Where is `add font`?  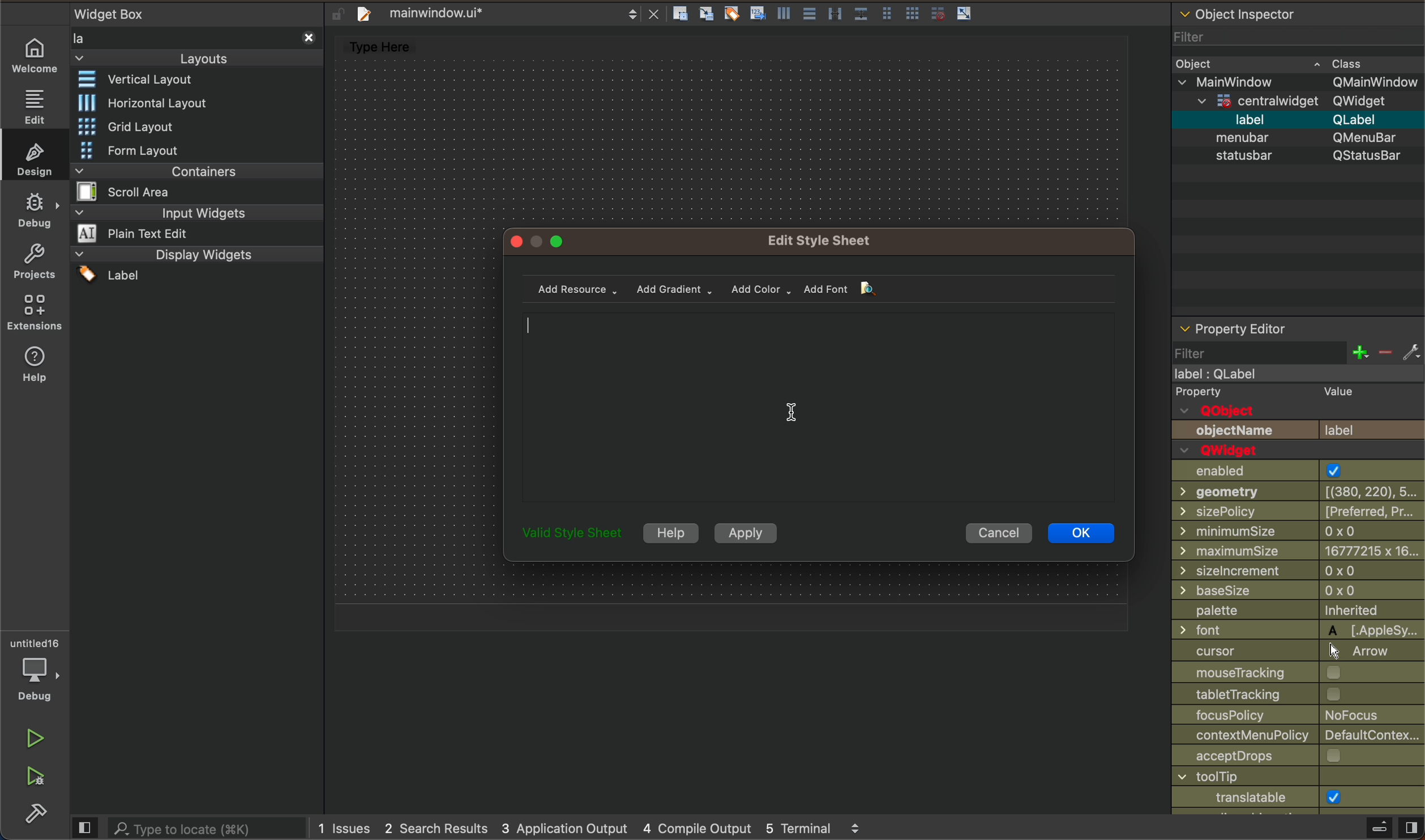
add font is located at coordinates (833, 290).